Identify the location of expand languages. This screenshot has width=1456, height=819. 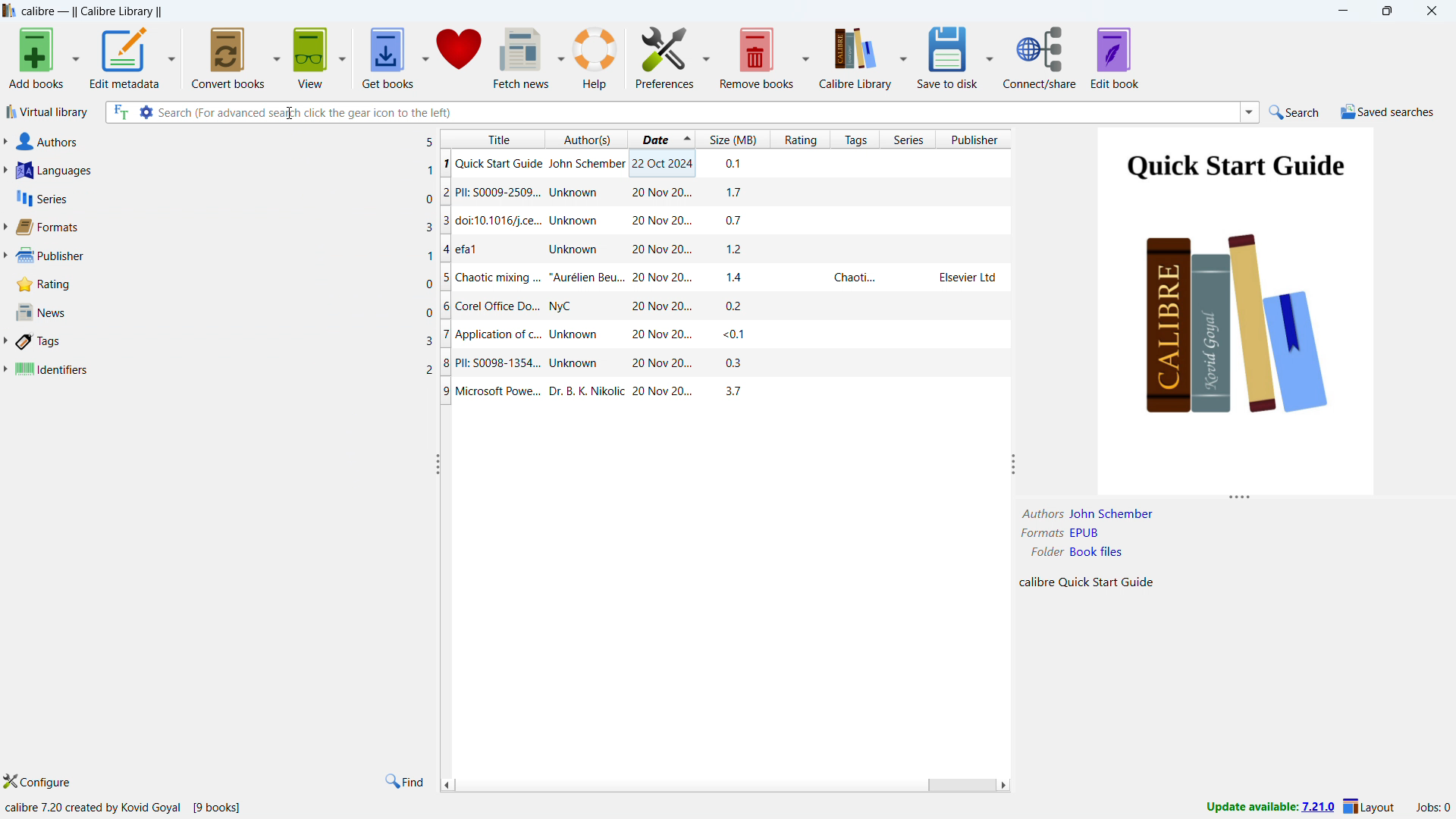
(5, 171).